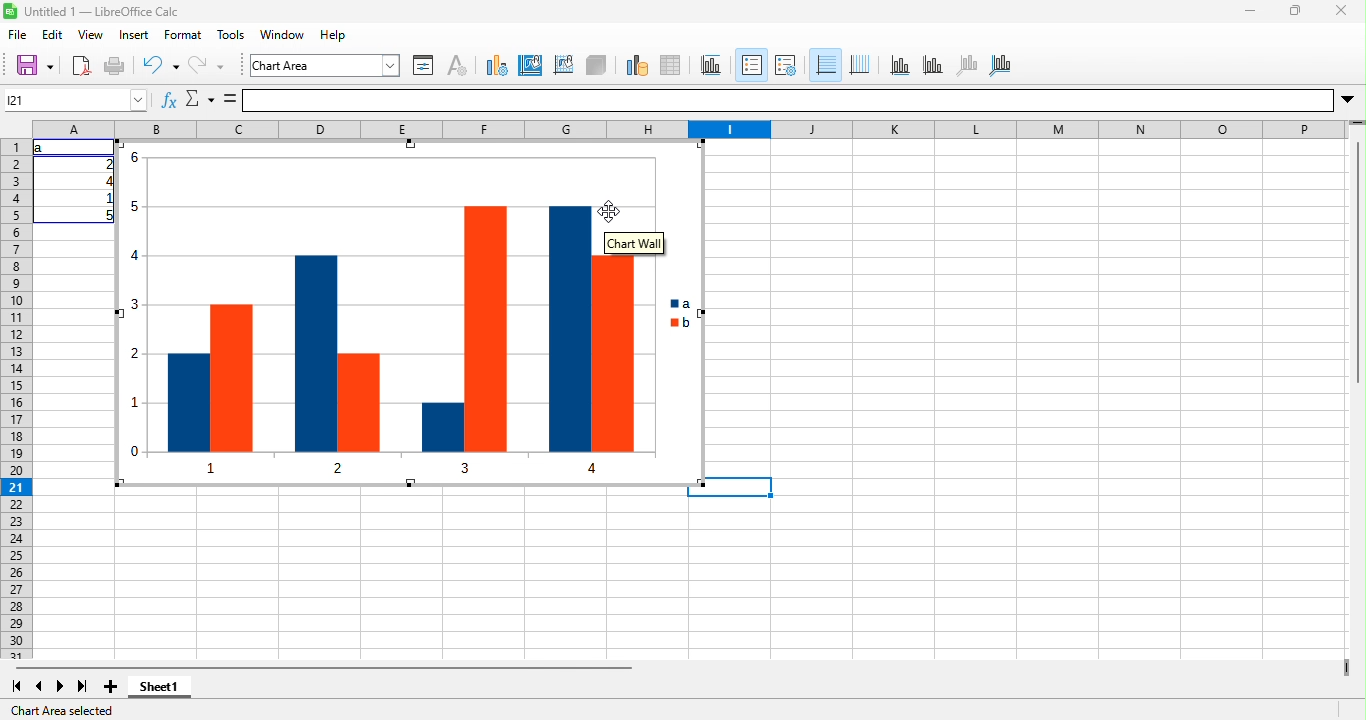 The image size is (1366, 720). What do you see at coordinates (283, 34) in the screenshot?
I see `window` at bounding box center [283, 34].